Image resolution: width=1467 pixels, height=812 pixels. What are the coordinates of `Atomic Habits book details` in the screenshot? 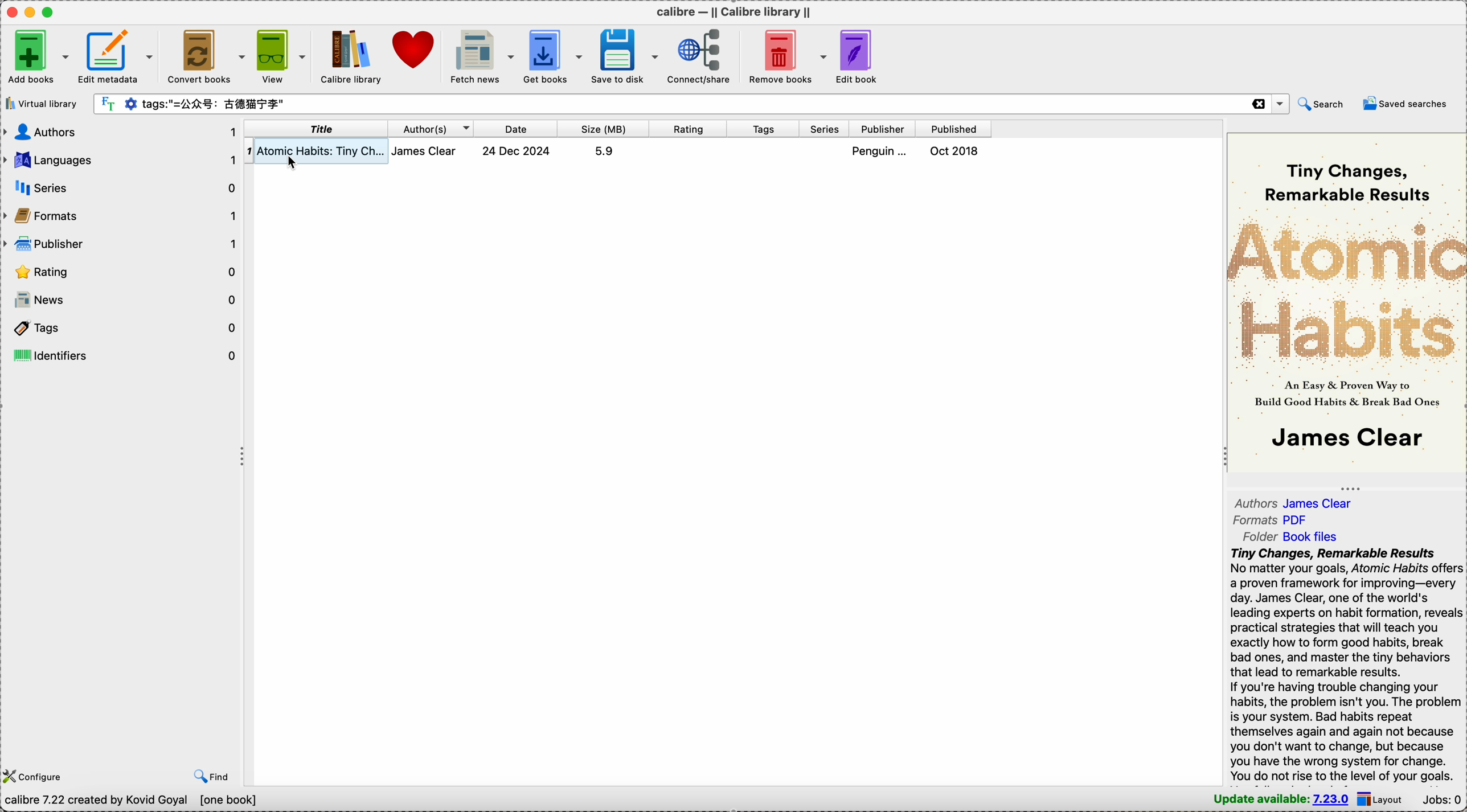 It's located at (260, 152).